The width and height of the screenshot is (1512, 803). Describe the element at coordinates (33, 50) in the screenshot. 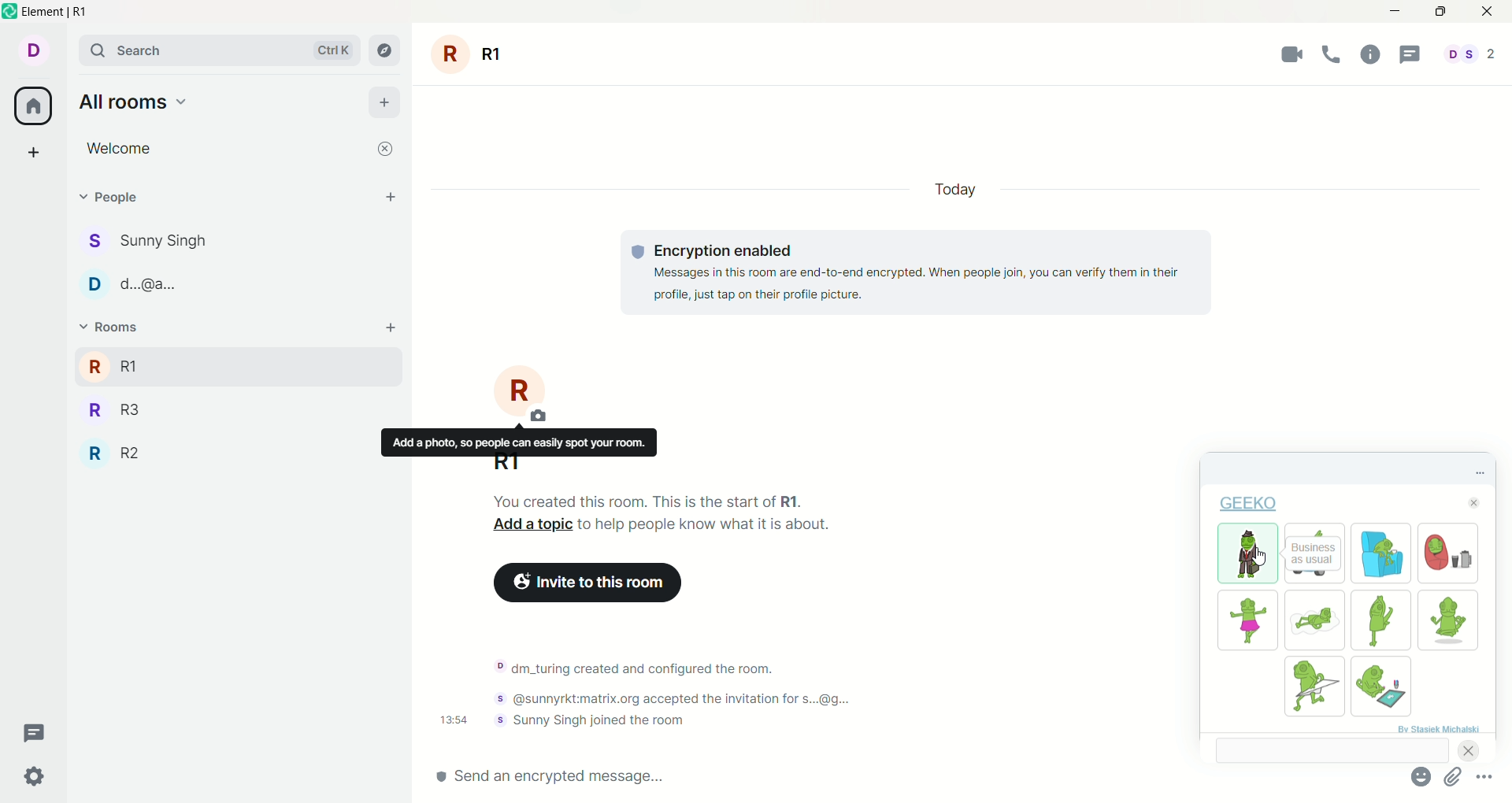

I see `account` at that location.